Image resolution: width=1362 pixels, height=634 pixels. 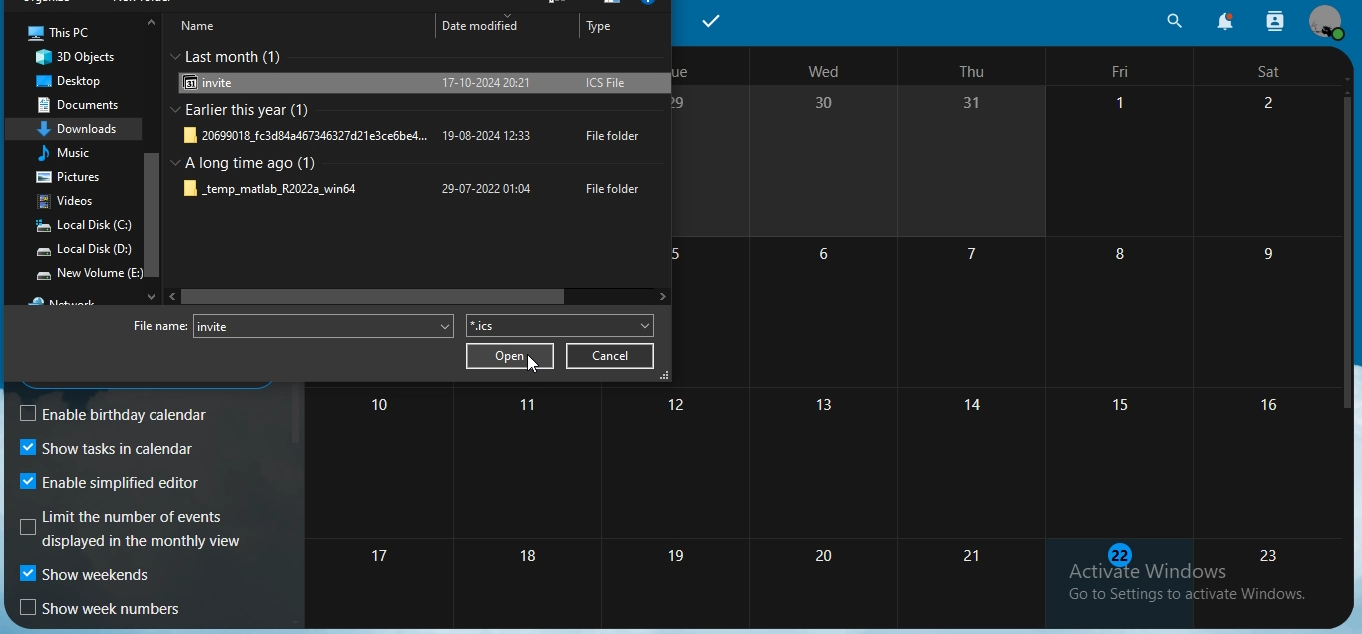 What do you see at coordinates (529, 365) in the screenshot?
I see `cursor` at bounding box center [529, 365].